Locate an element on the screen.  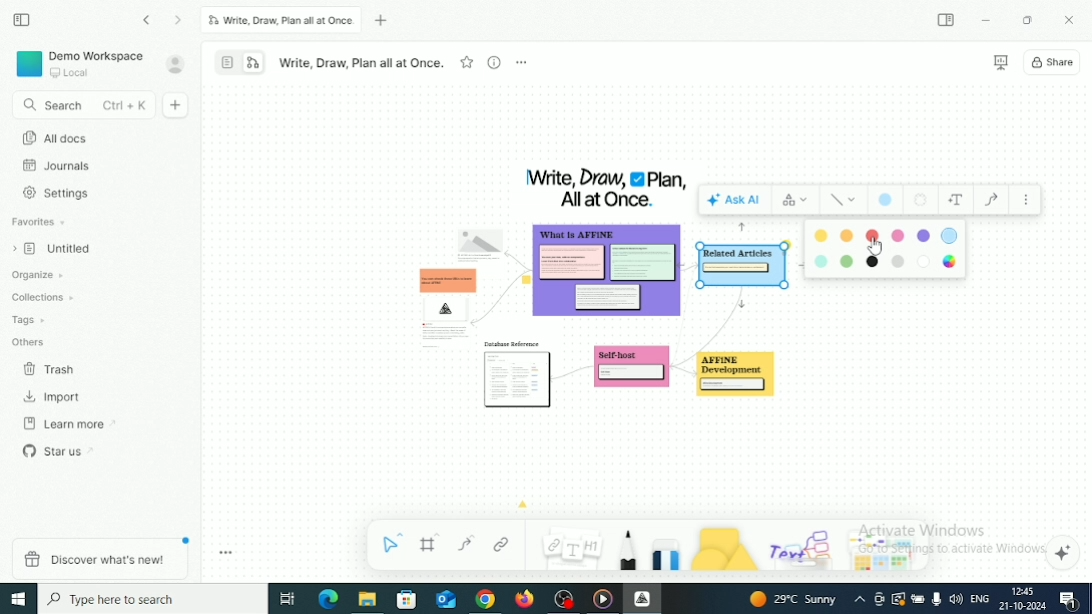
Mail is located at coordinates (445, 599).